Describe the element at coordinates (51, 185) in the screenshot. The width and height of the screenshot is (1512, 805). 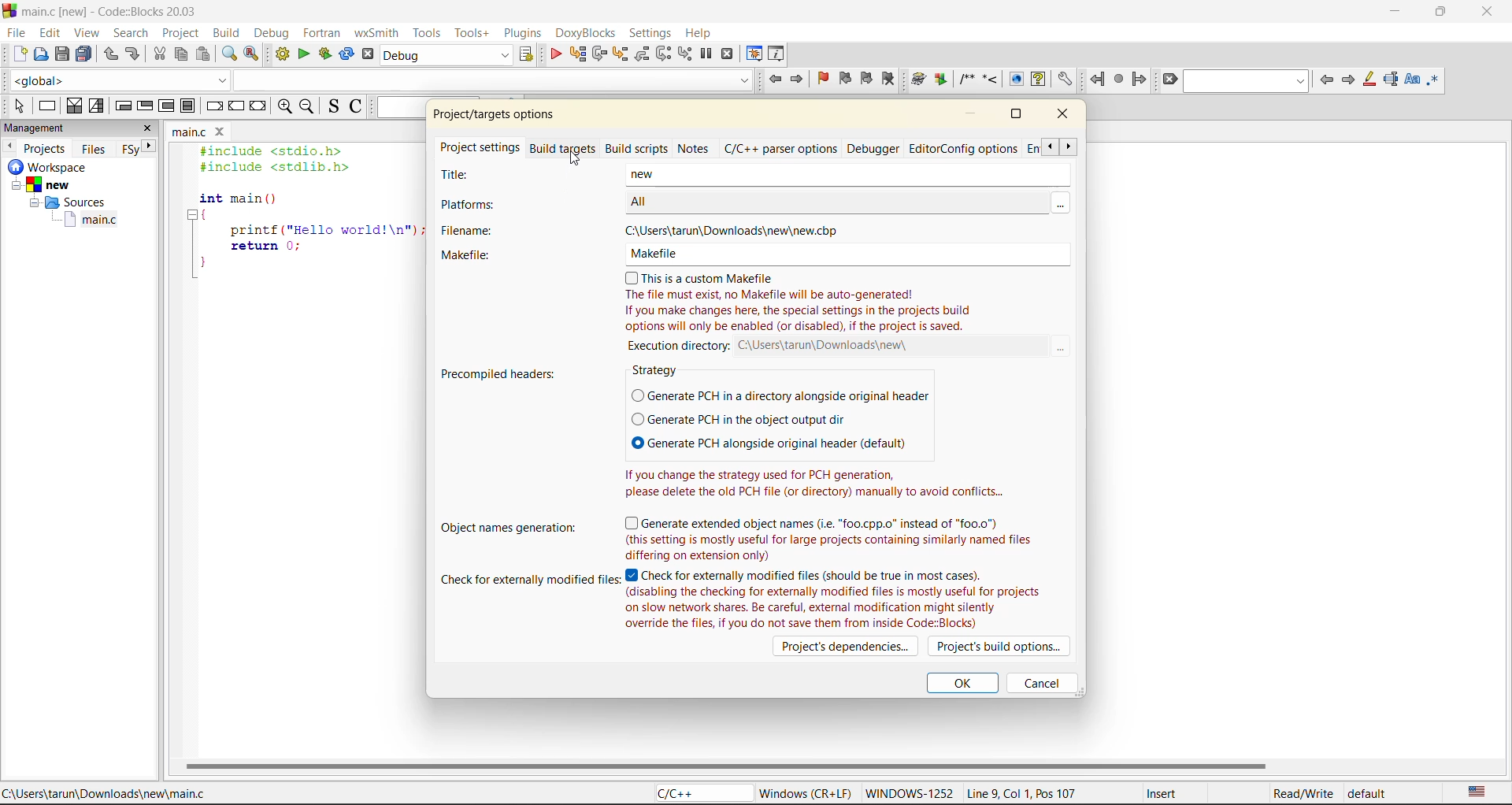
I see `New` at that location.